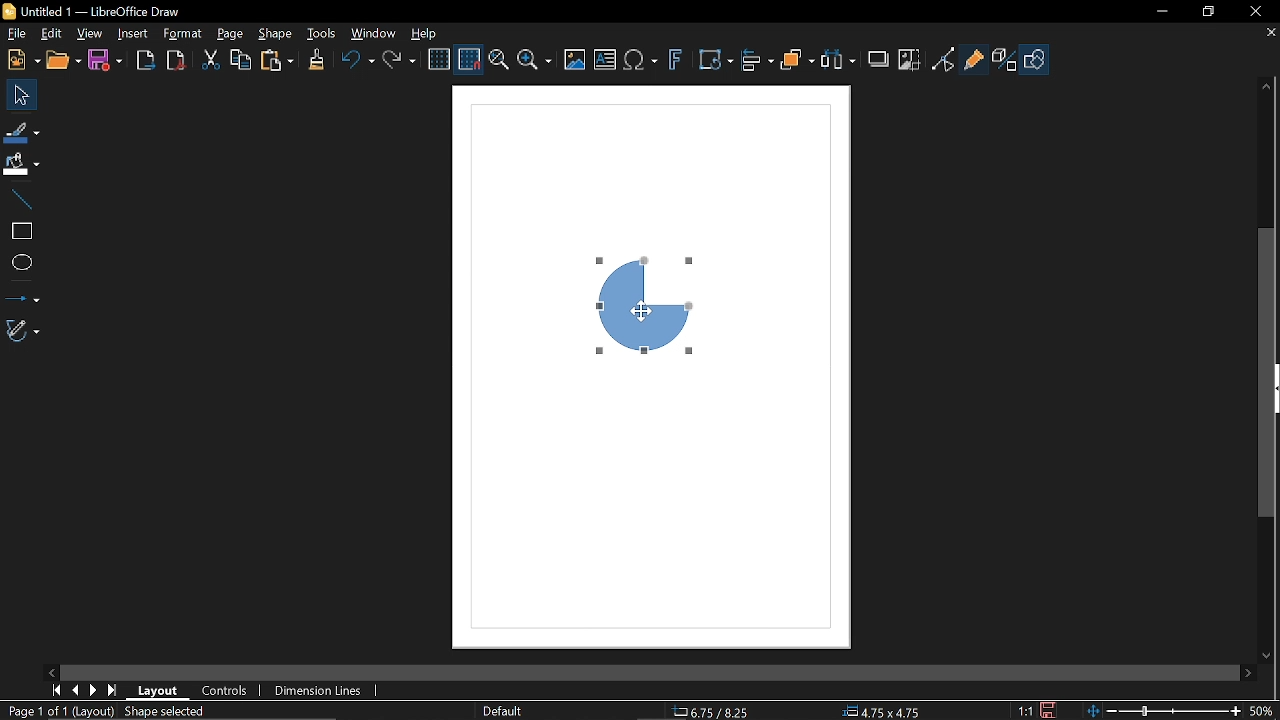  I want to click on New, so click(21, 59).